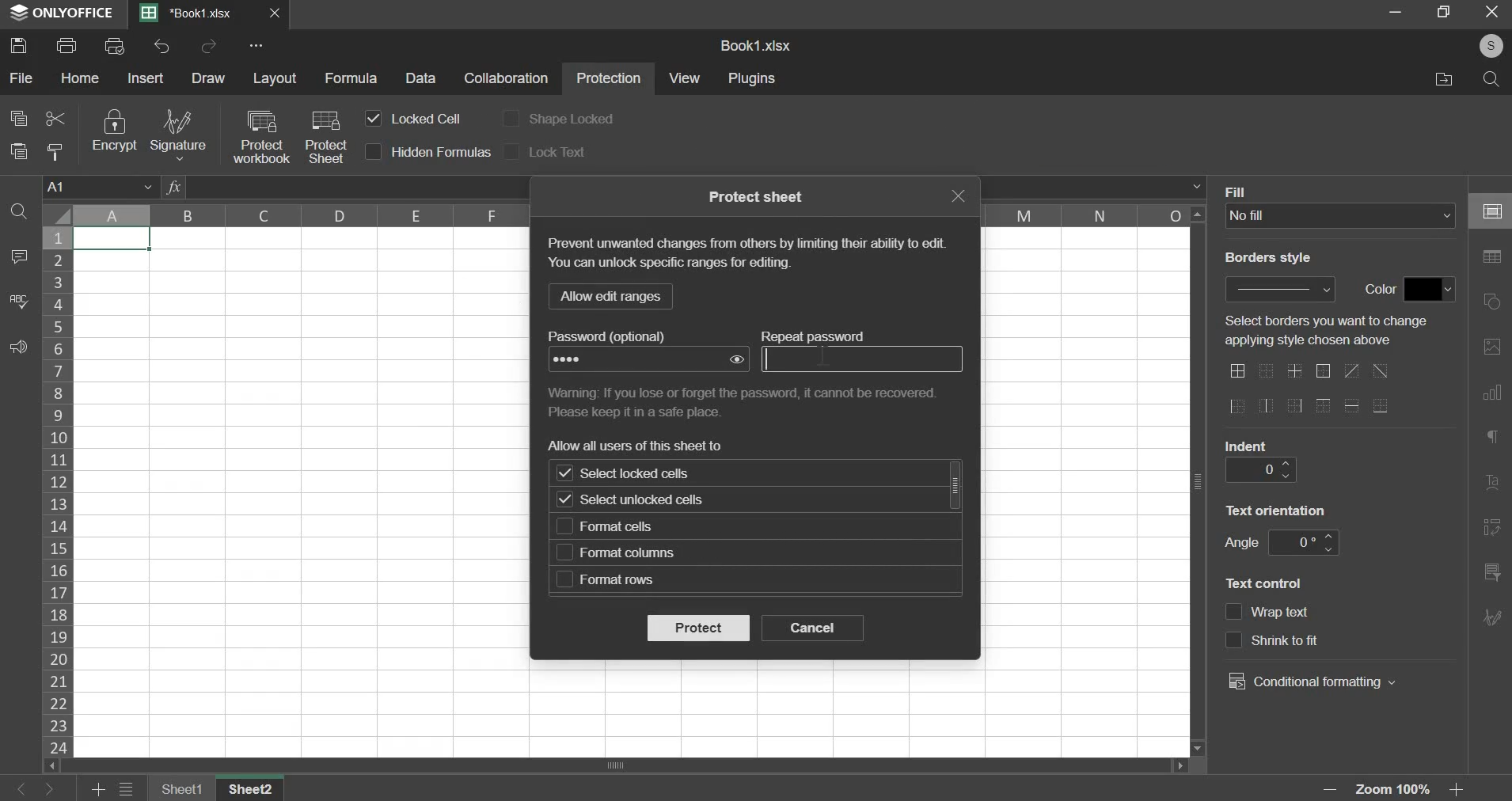 This screenshot has width=1512, height=801. Describe the element at coordinates (758, 47) in the screenshot. I see `Book1.xlsx` at that location.